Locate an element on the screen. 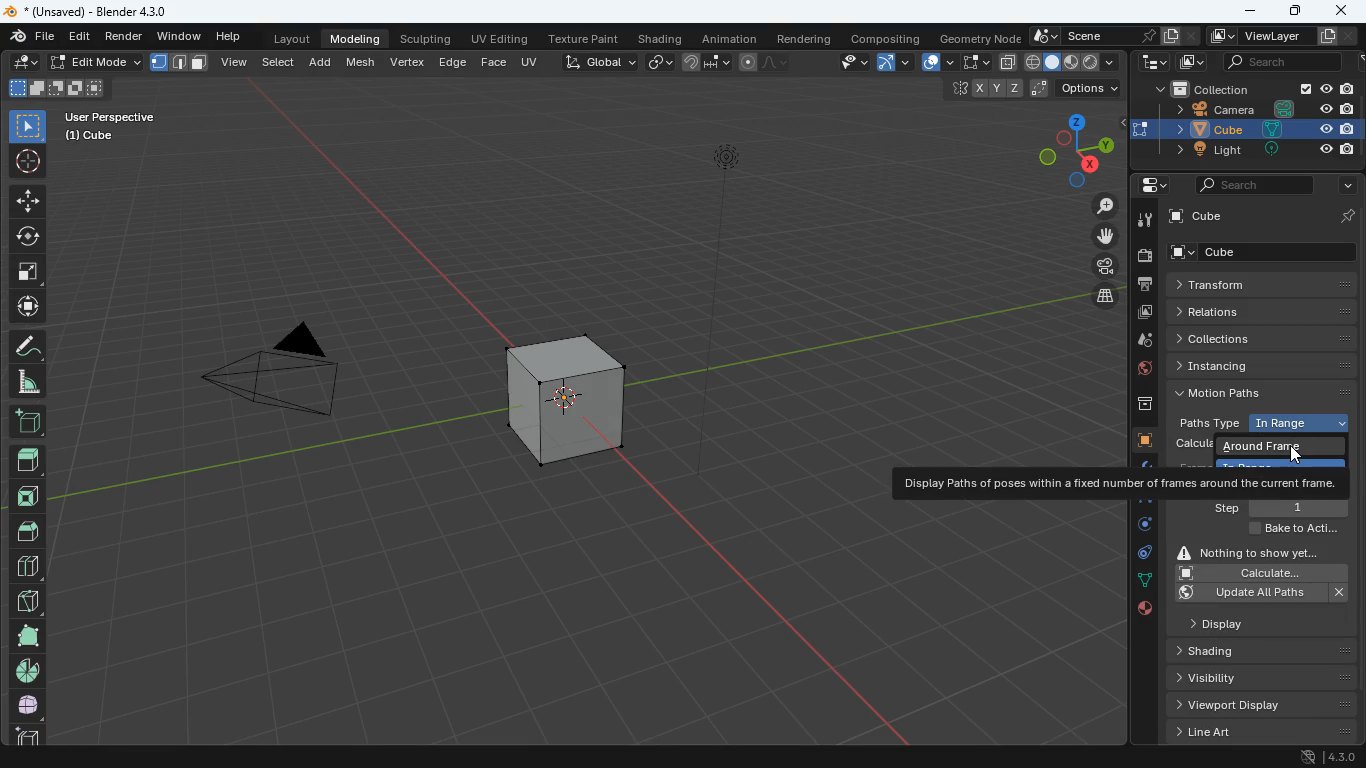 This screenshot has height=768, width=1366. texture is located at coordinates (587, 40).